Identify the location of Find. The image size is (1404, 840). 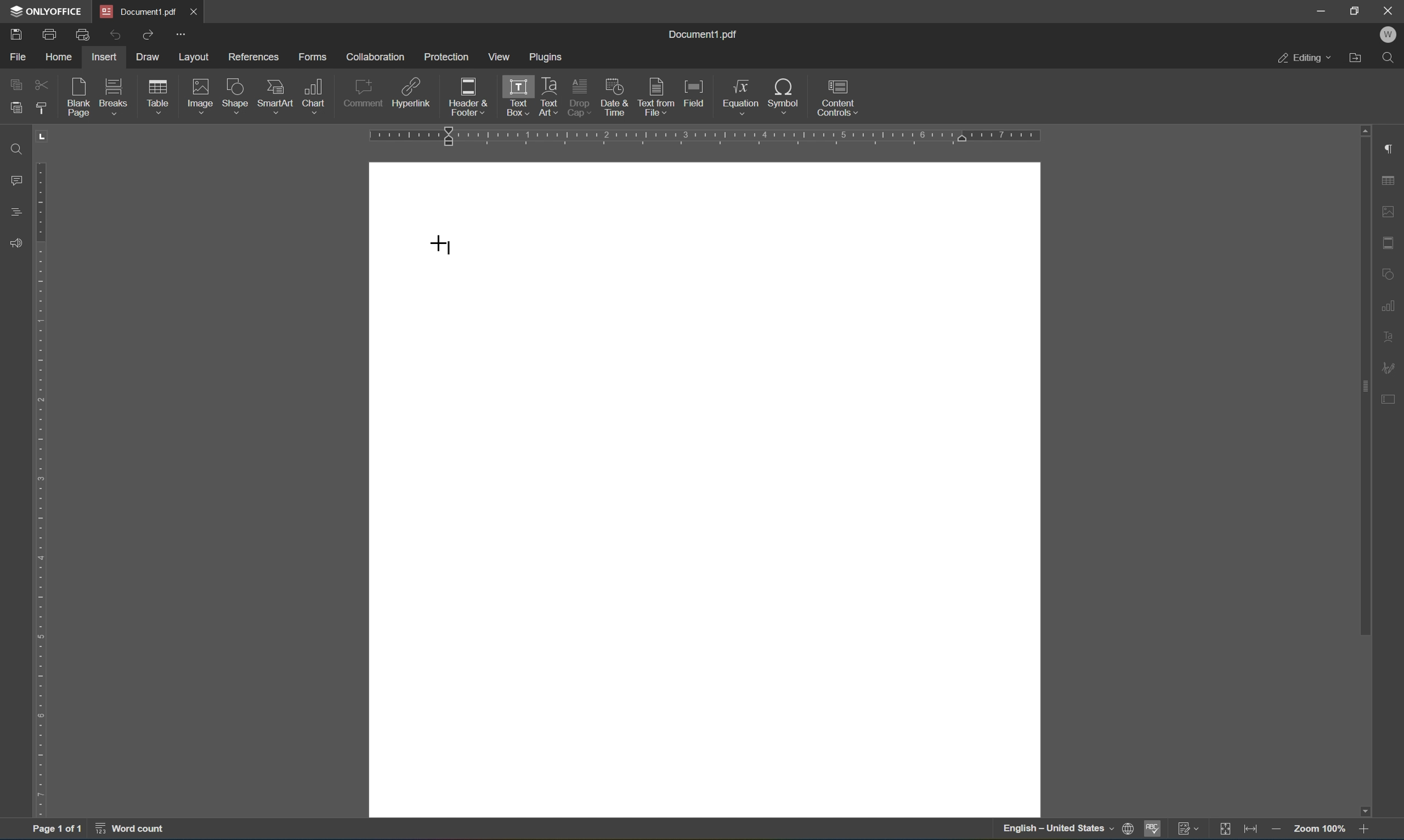
(1388, 58).